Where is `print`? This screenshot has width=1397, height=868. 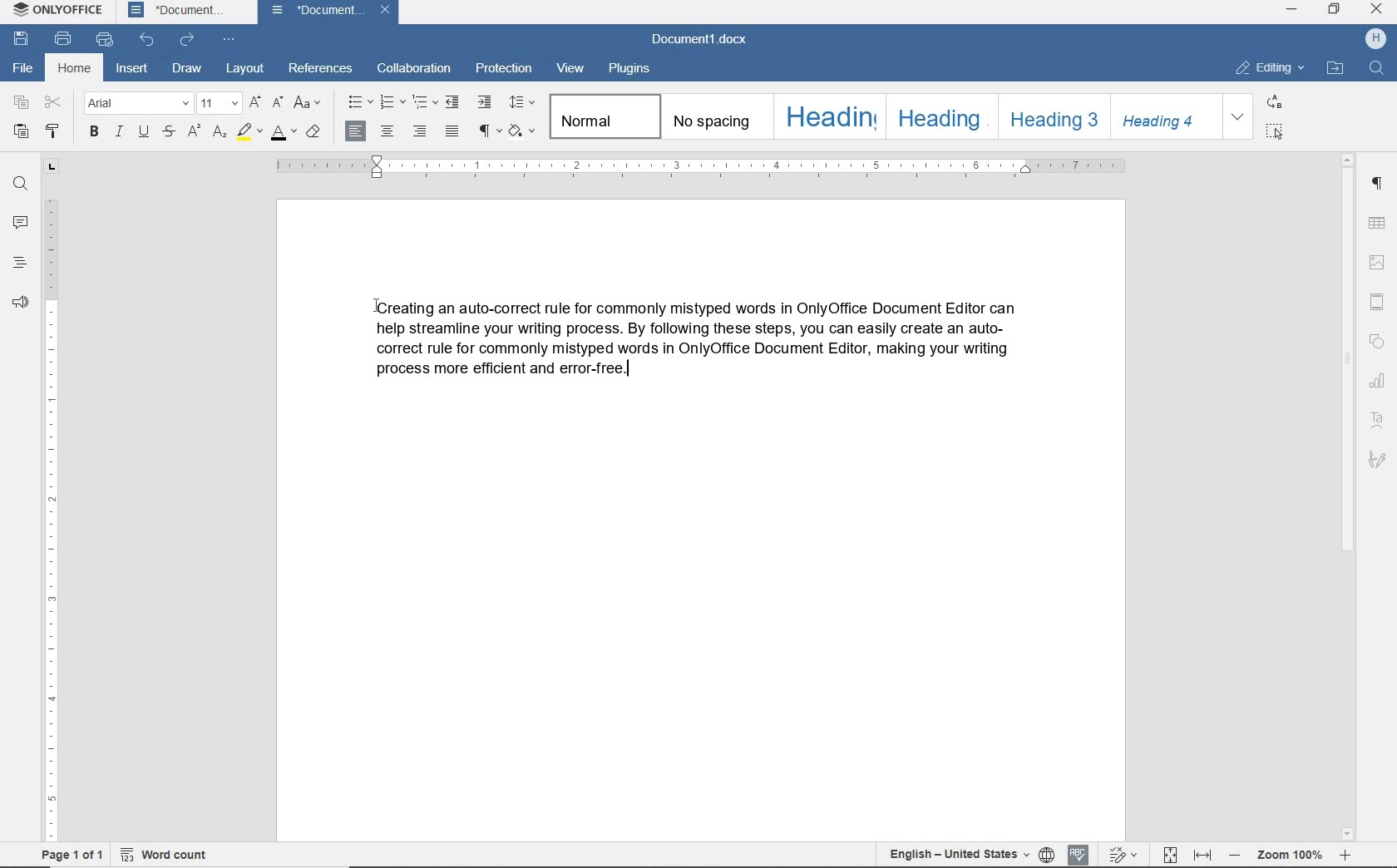
print is located at coordinates (63, 37).